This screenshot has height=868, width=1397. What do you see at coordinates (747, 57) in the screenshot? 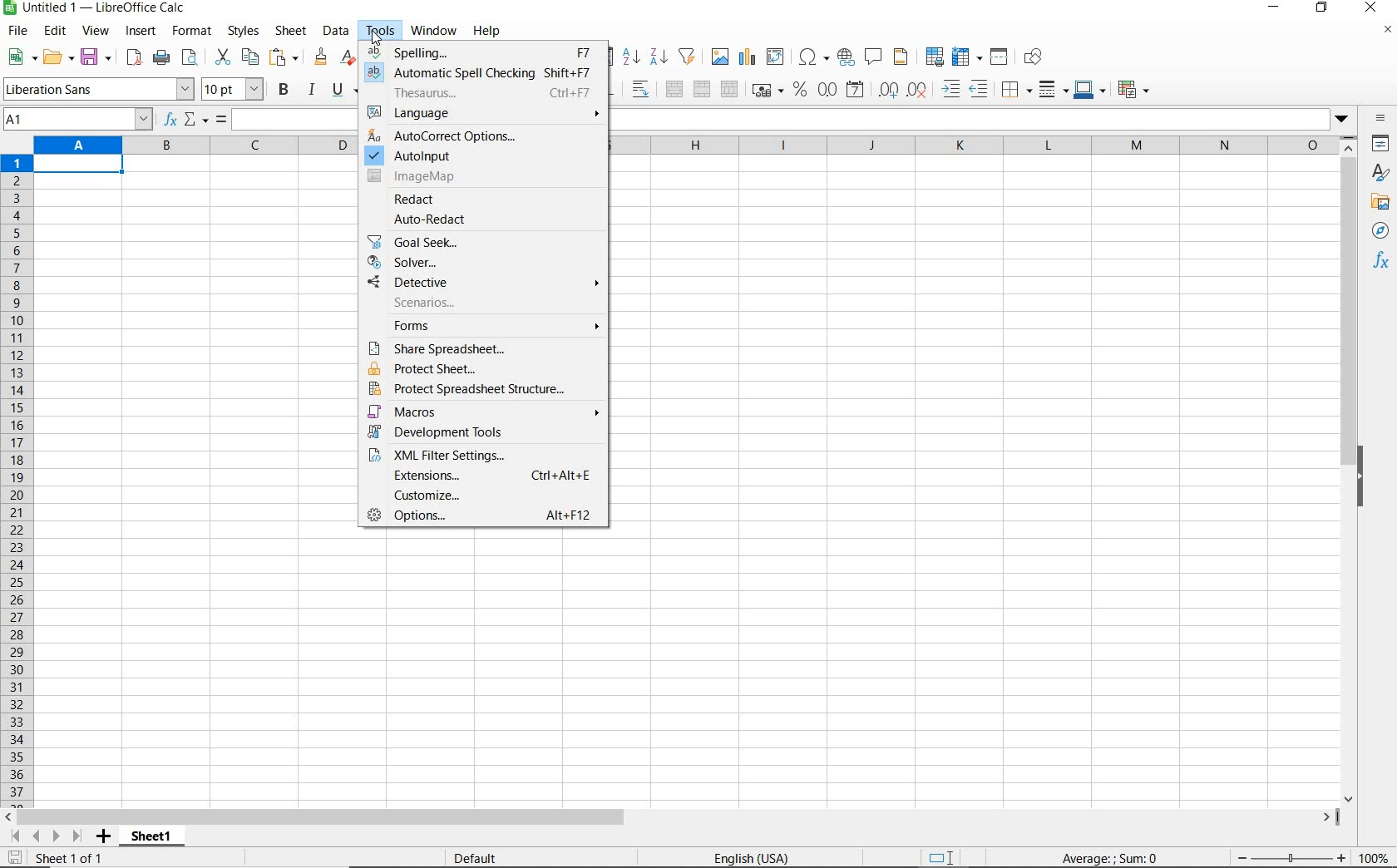
I see `insert chart` at bounding box center [747, 57].